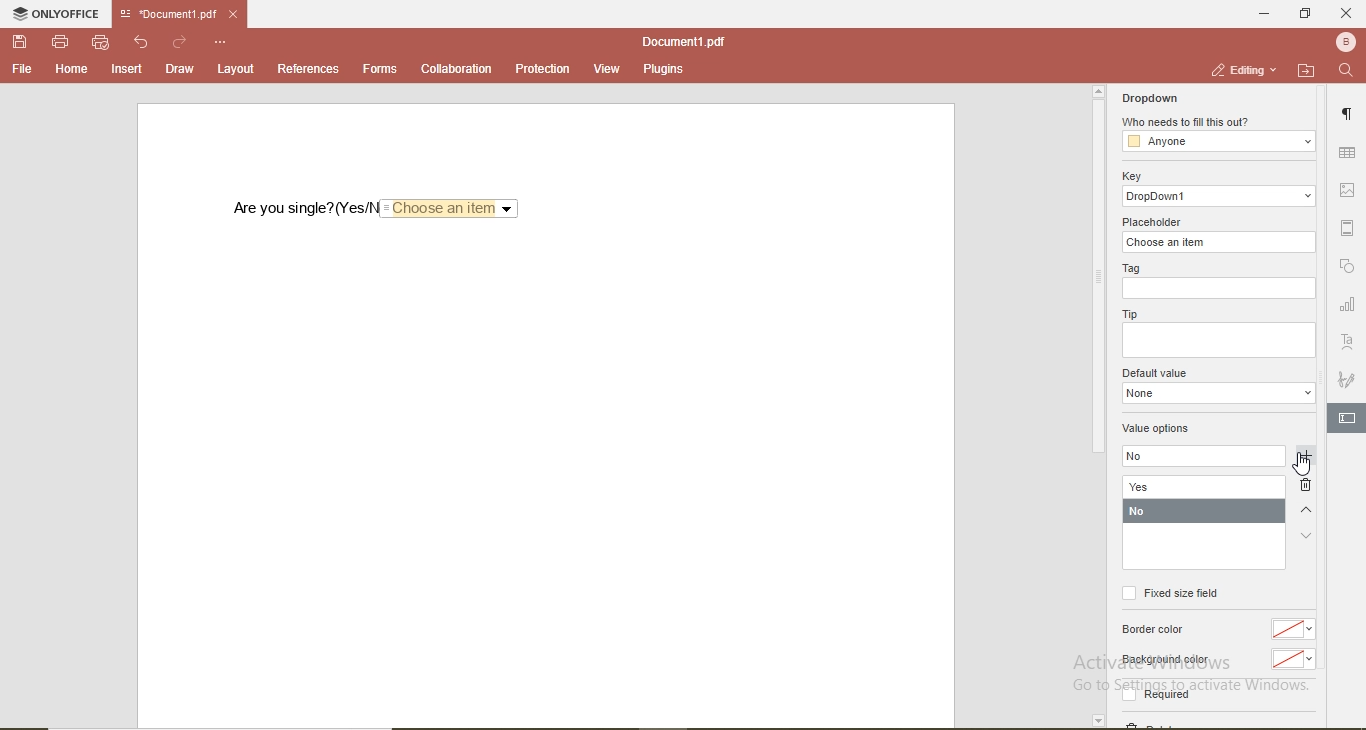 The image size is (1366, 730). I want to click on dropdown, so click(1217, 393).